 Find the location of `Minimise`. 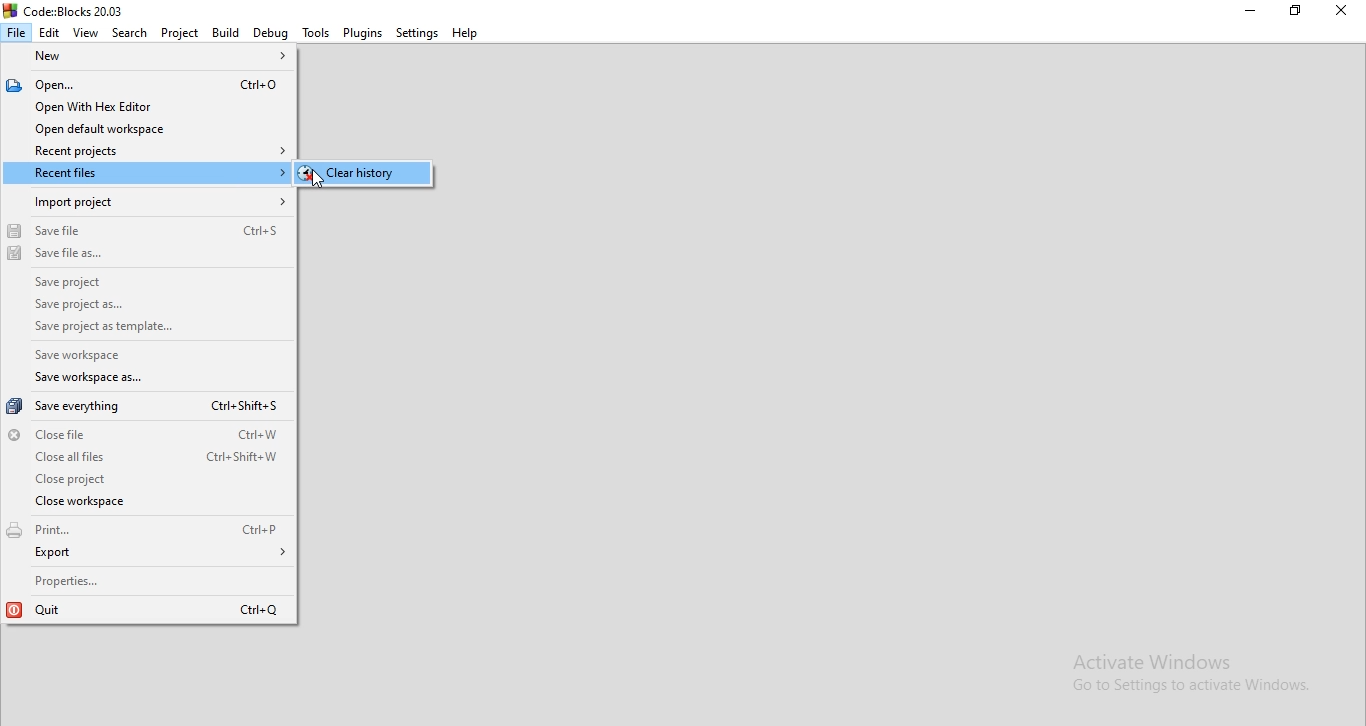

Minimise is located at coordinates (1243, 10).